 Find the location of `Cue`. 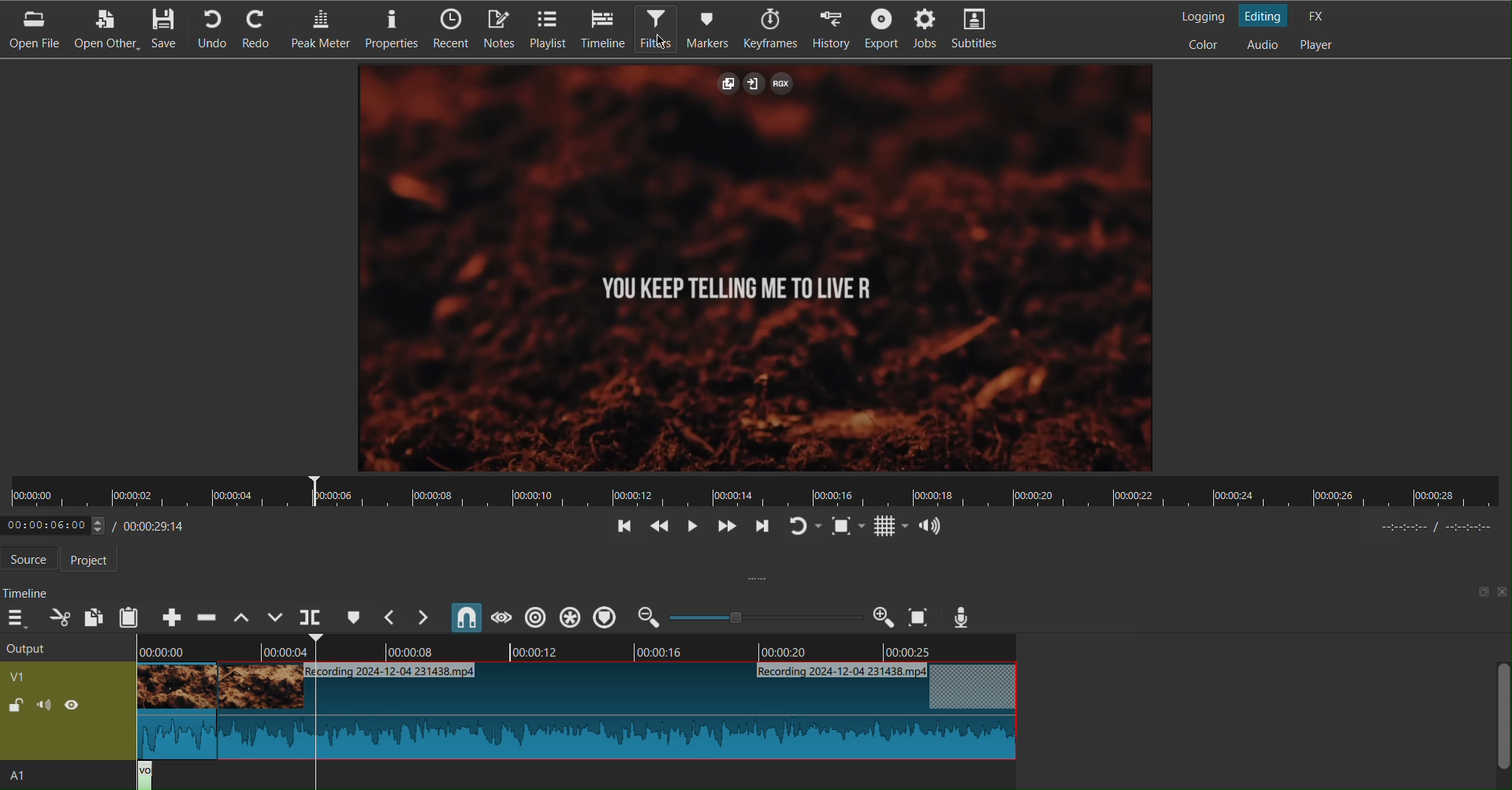

Cue is located at coordinates (353, 617).